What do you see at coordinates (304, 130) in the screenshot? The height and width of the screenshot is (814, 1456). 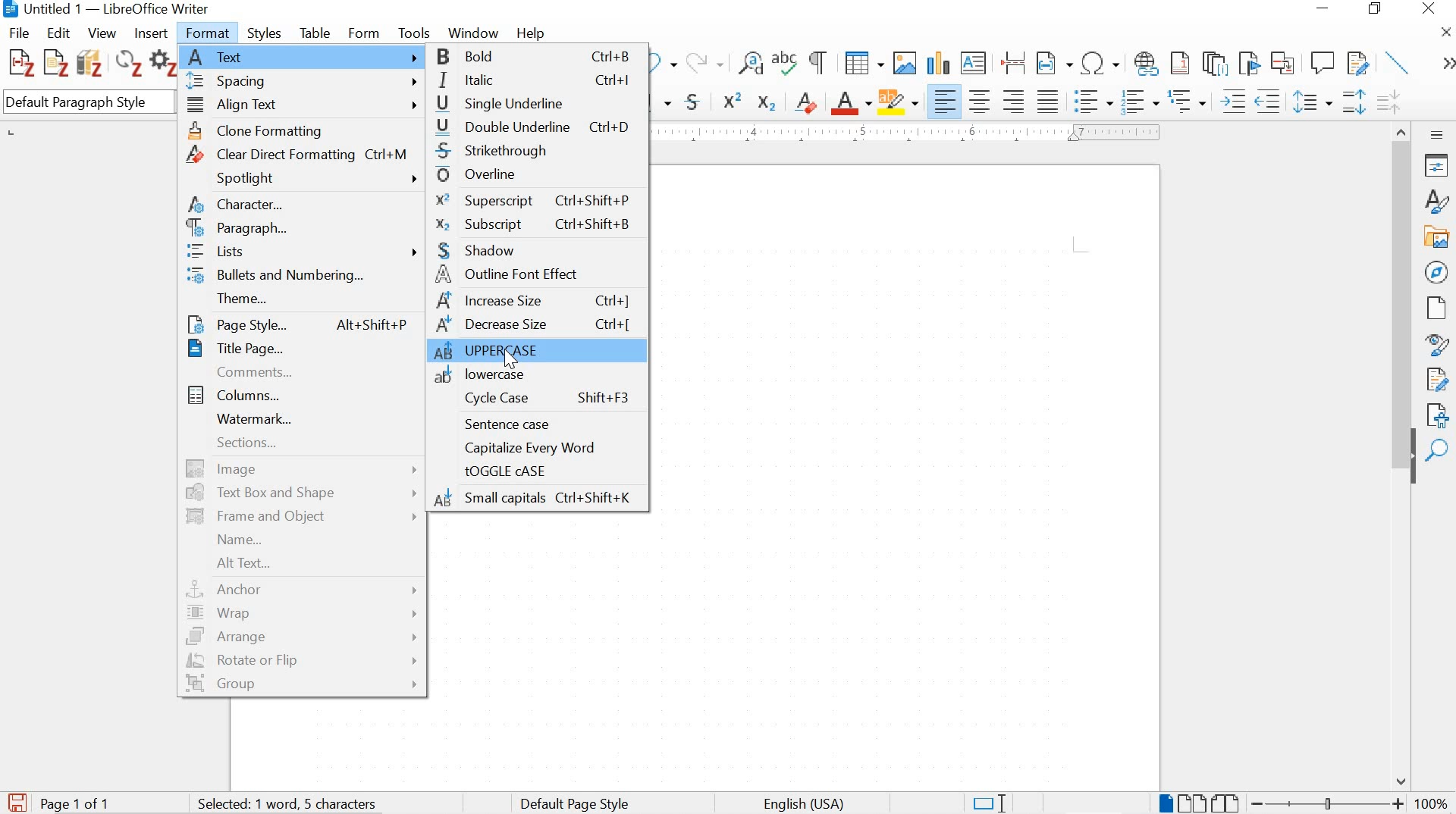 I see `clone formatting` at bounding box center [304, 130].